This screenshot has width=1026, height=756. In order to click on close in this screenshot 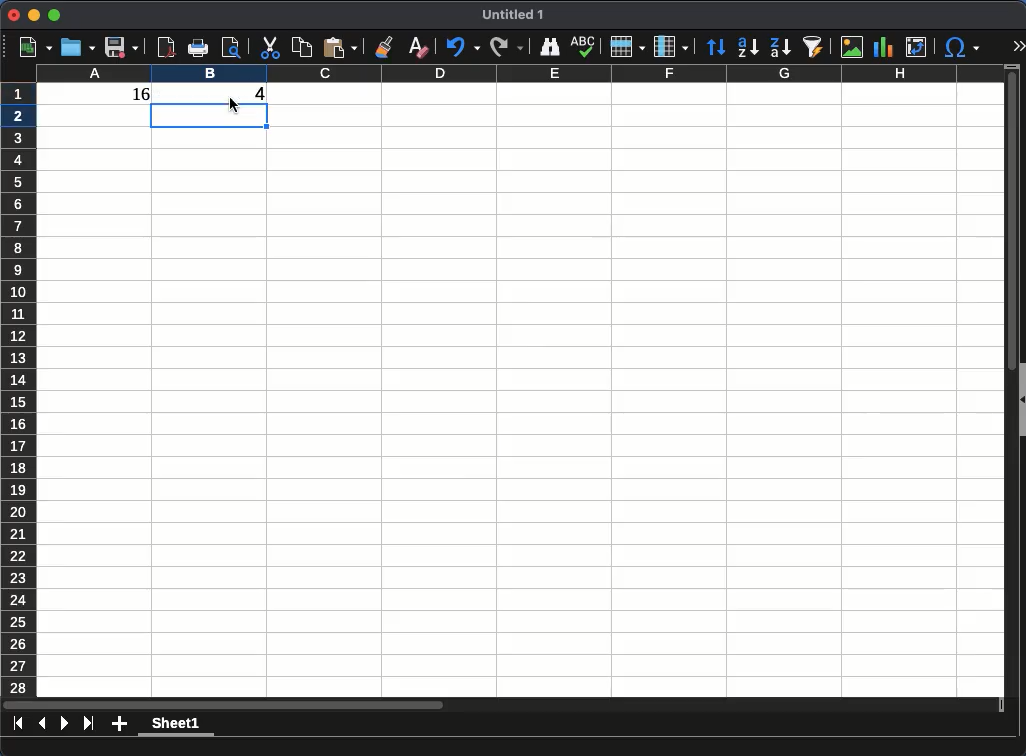, I will do `click(14, 15)`.